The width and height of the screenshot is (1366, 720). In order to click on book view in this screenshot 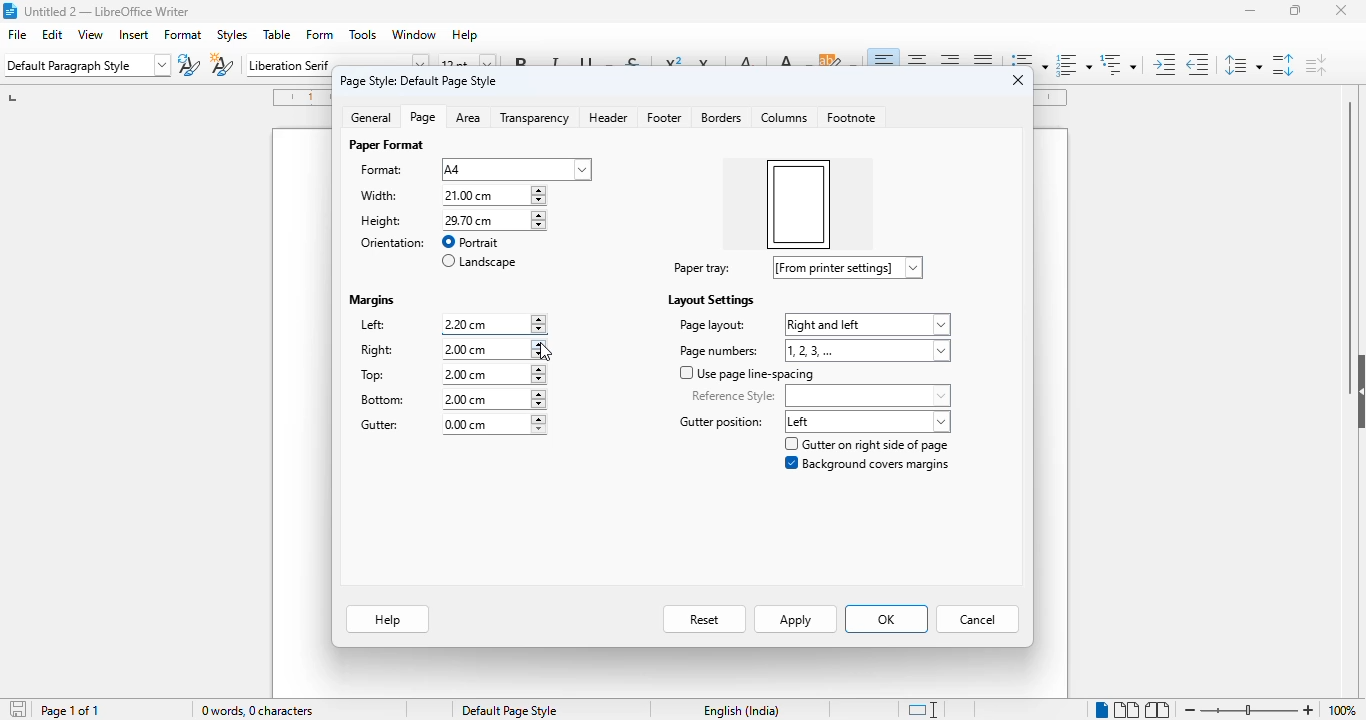, I will do `click(1159, 709)`.